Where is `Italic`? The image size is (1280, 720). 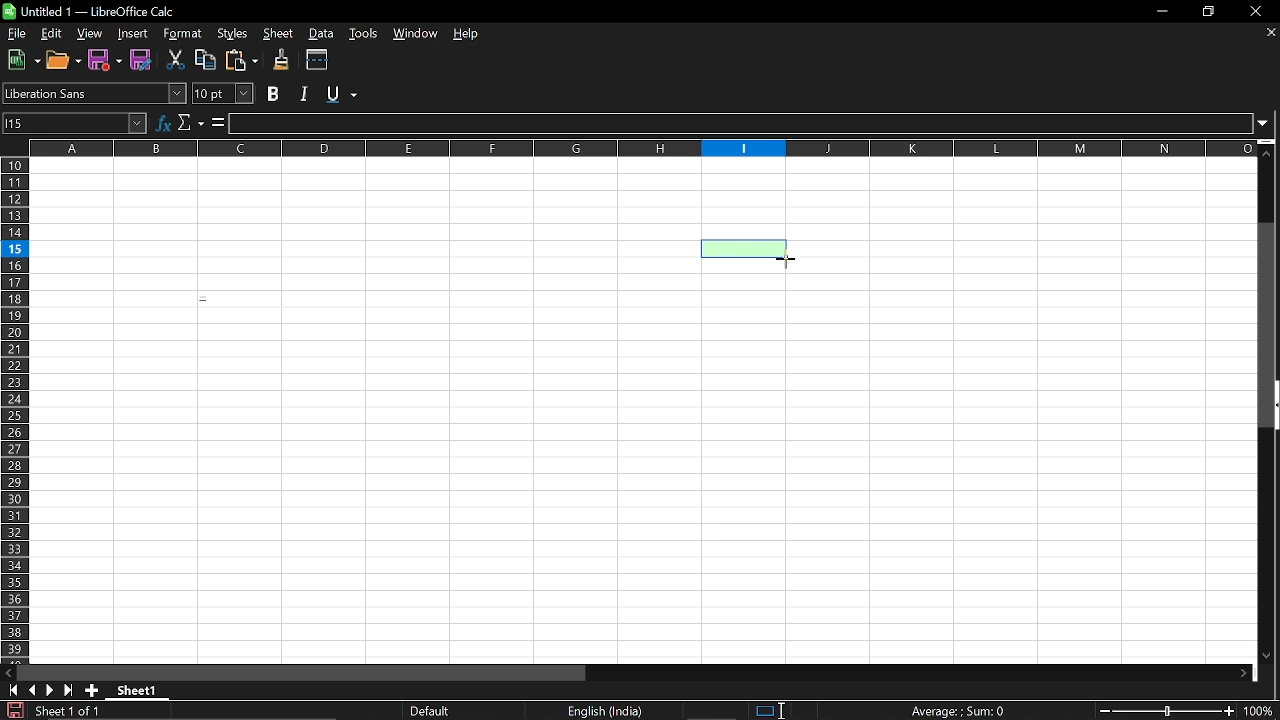
Italic is located at coordinates (304, 93).